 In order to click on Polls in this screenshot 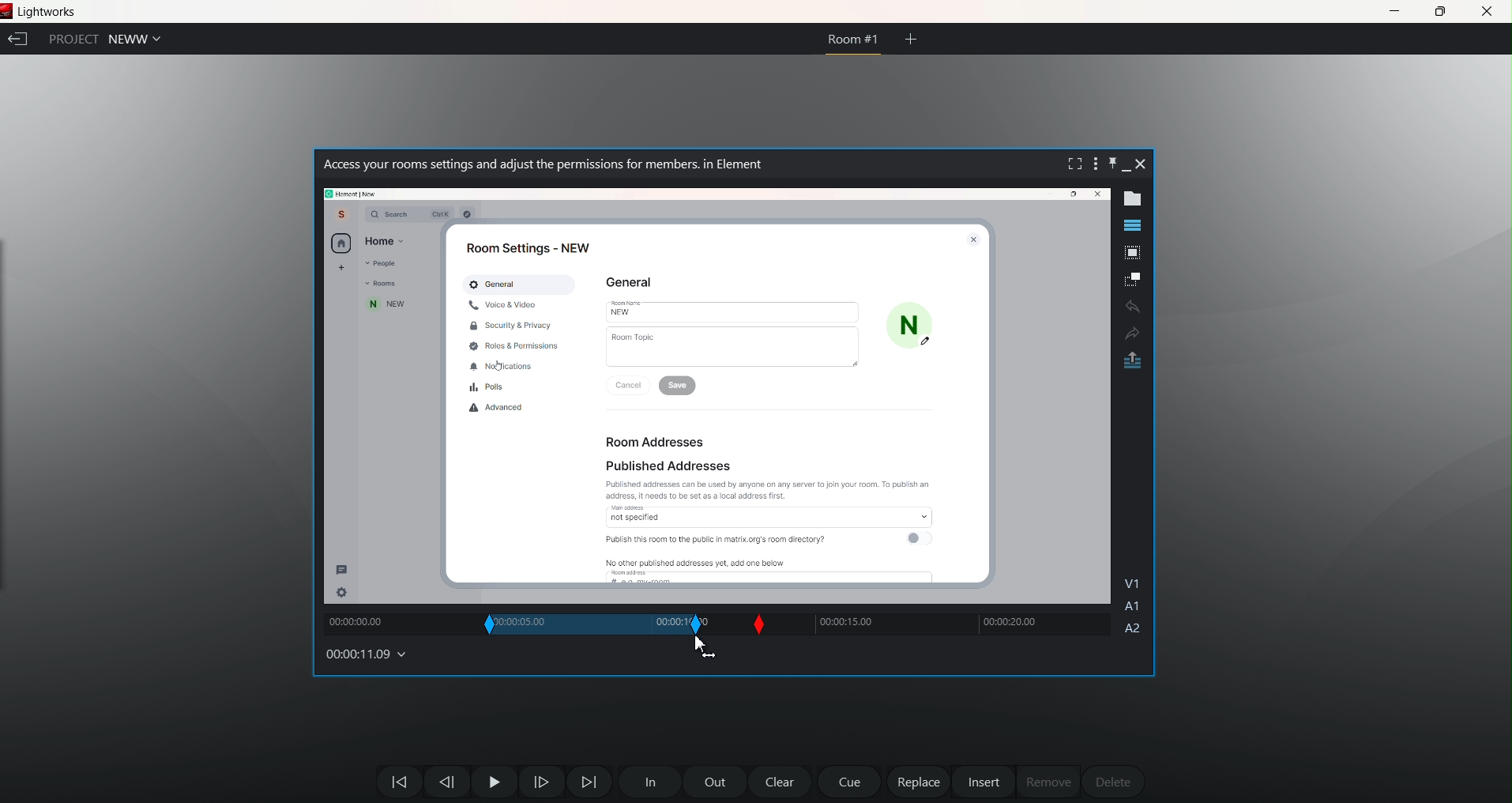, I will do `click(488, 386)`.